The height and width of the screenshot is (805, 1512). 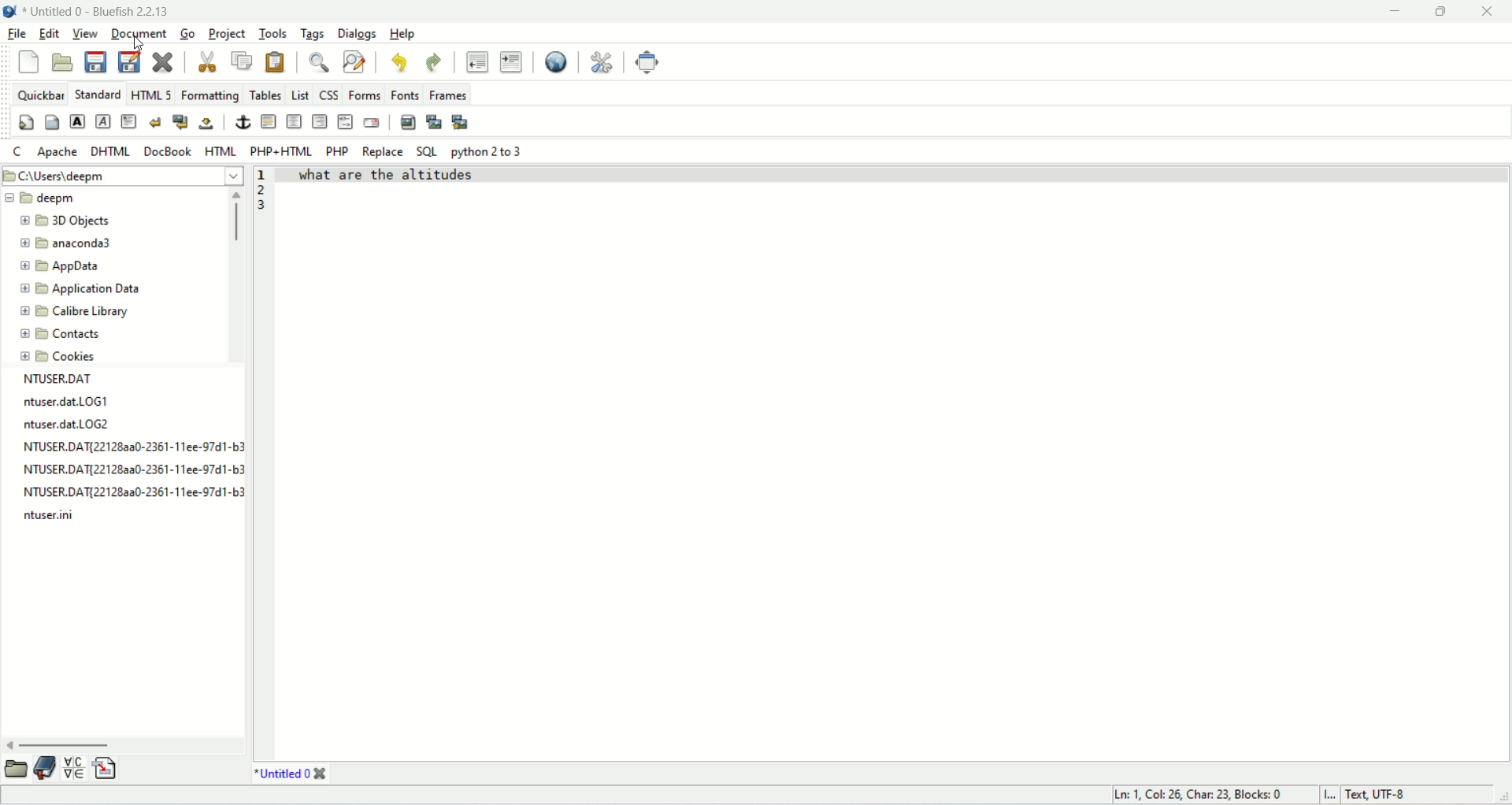 I want to click on unindent, so click(x=479, y=61).